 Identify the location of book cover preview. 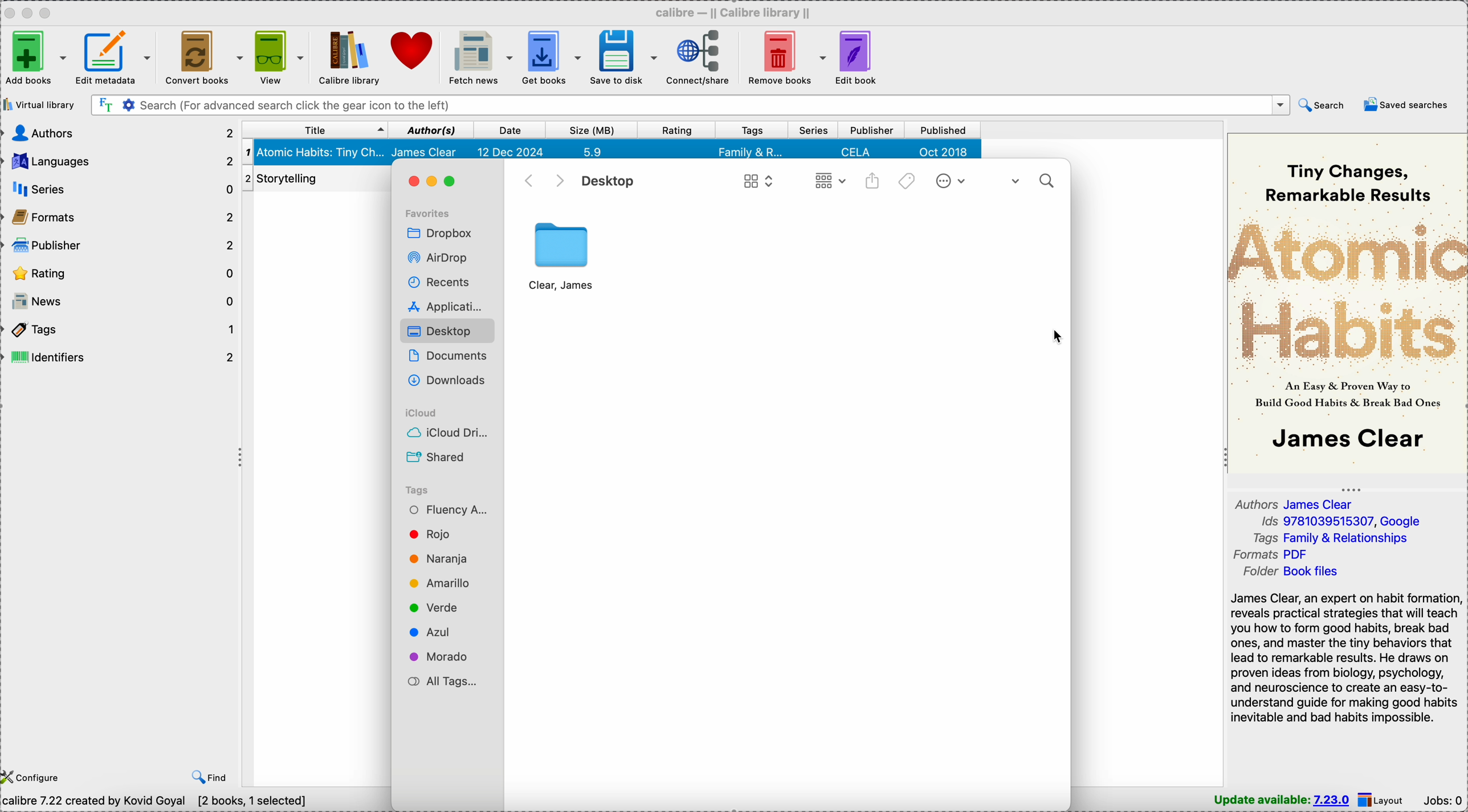
(1346, 303).